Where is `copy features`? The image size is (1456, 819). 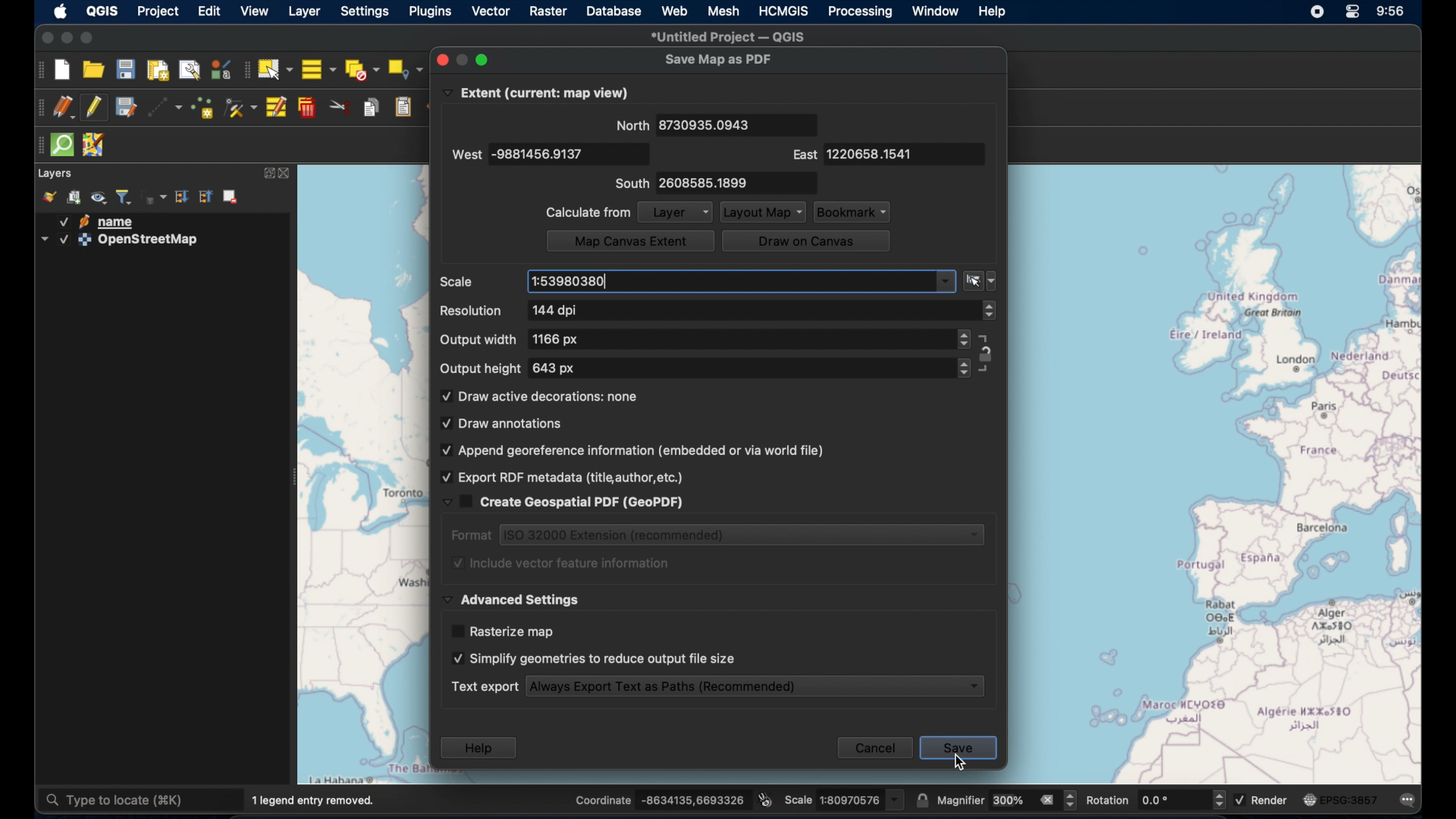
copy features is located at coordinates (372, 107).